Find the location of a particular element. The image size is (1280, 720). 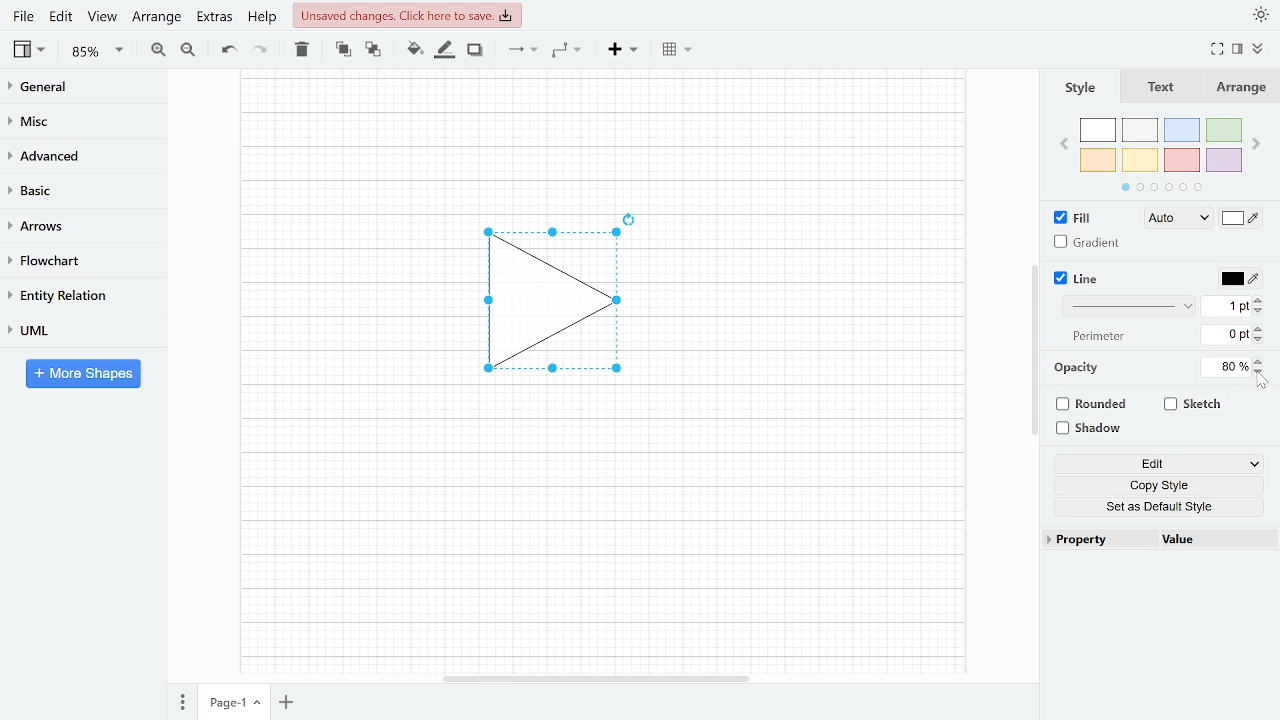

General is located at coordinates (76, 89).